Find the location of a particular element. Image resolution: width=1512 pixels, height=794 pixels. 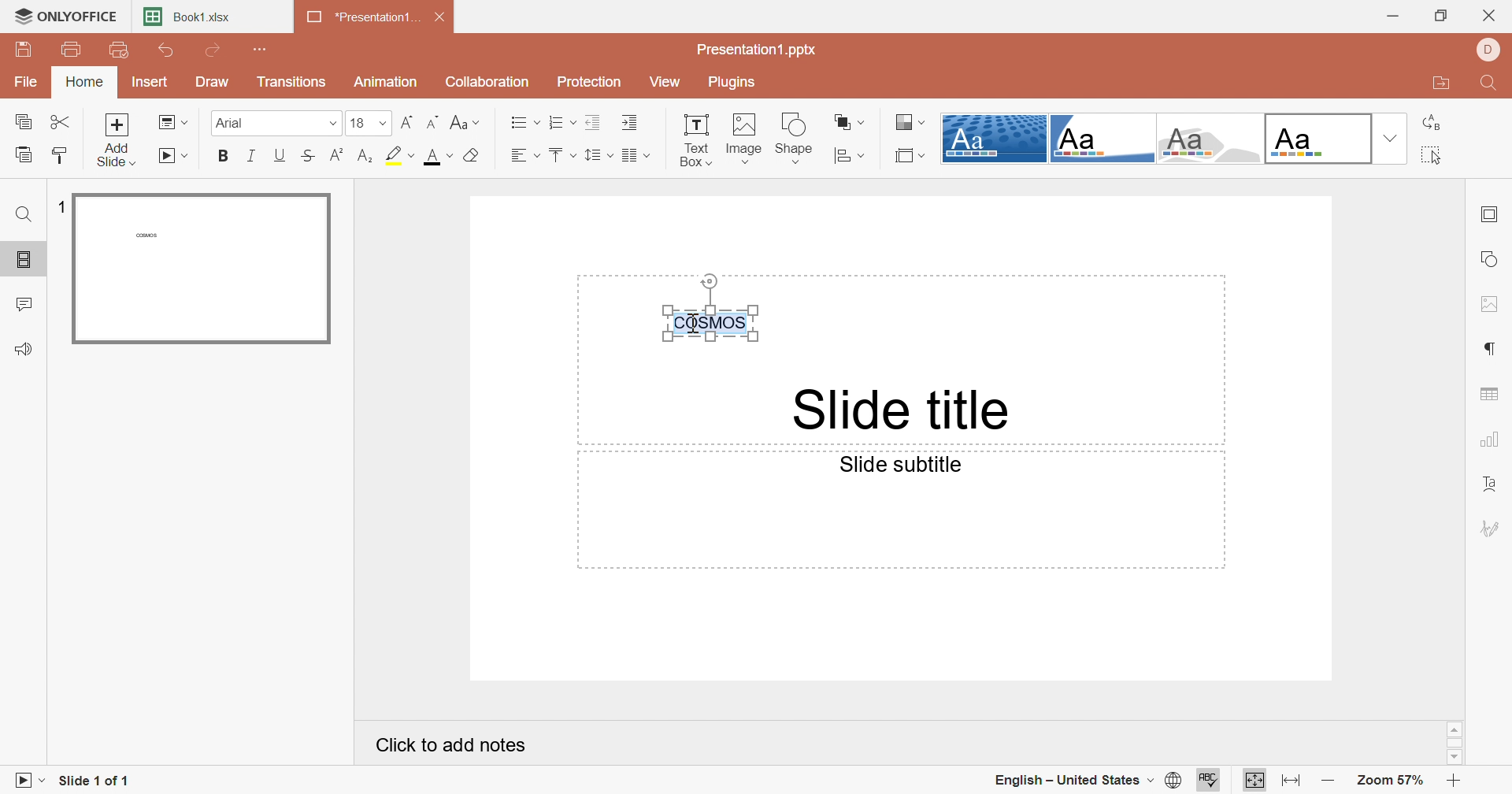

Feedback & Support is located at coordinates (27, 350).